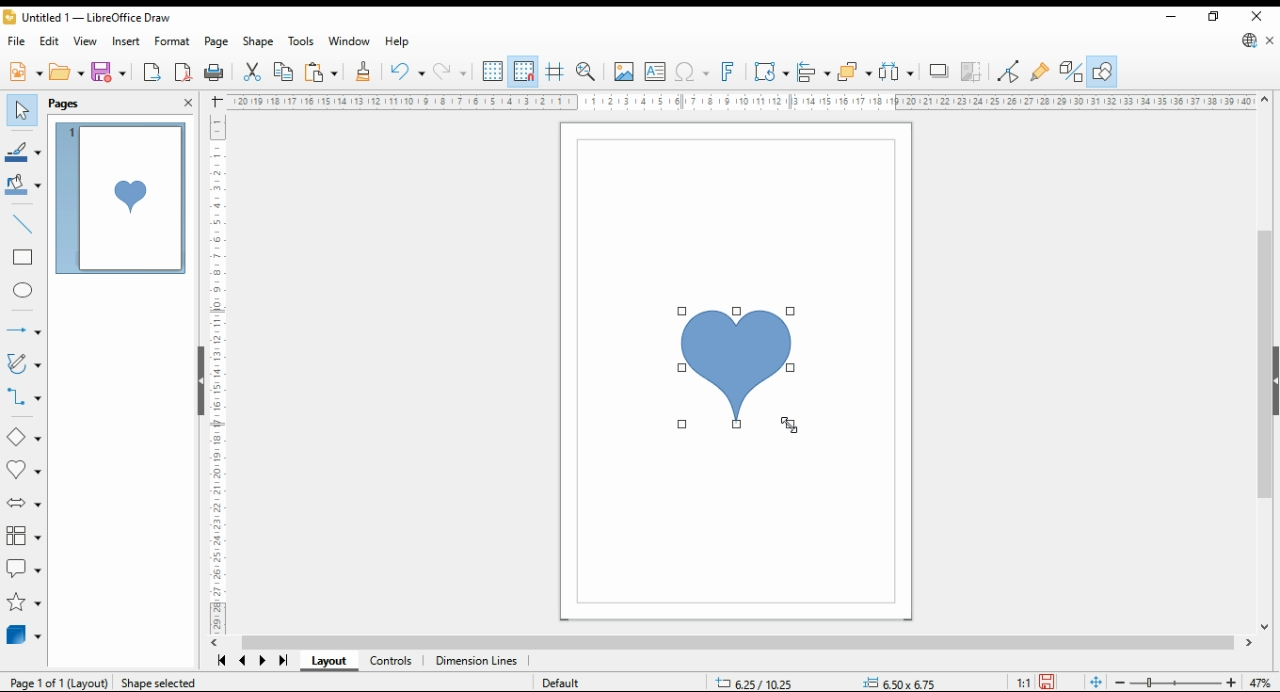 Image resolution: width=1280 pixels, height=692 pixels. I want to click on show draw functions, so click(1102, 71).